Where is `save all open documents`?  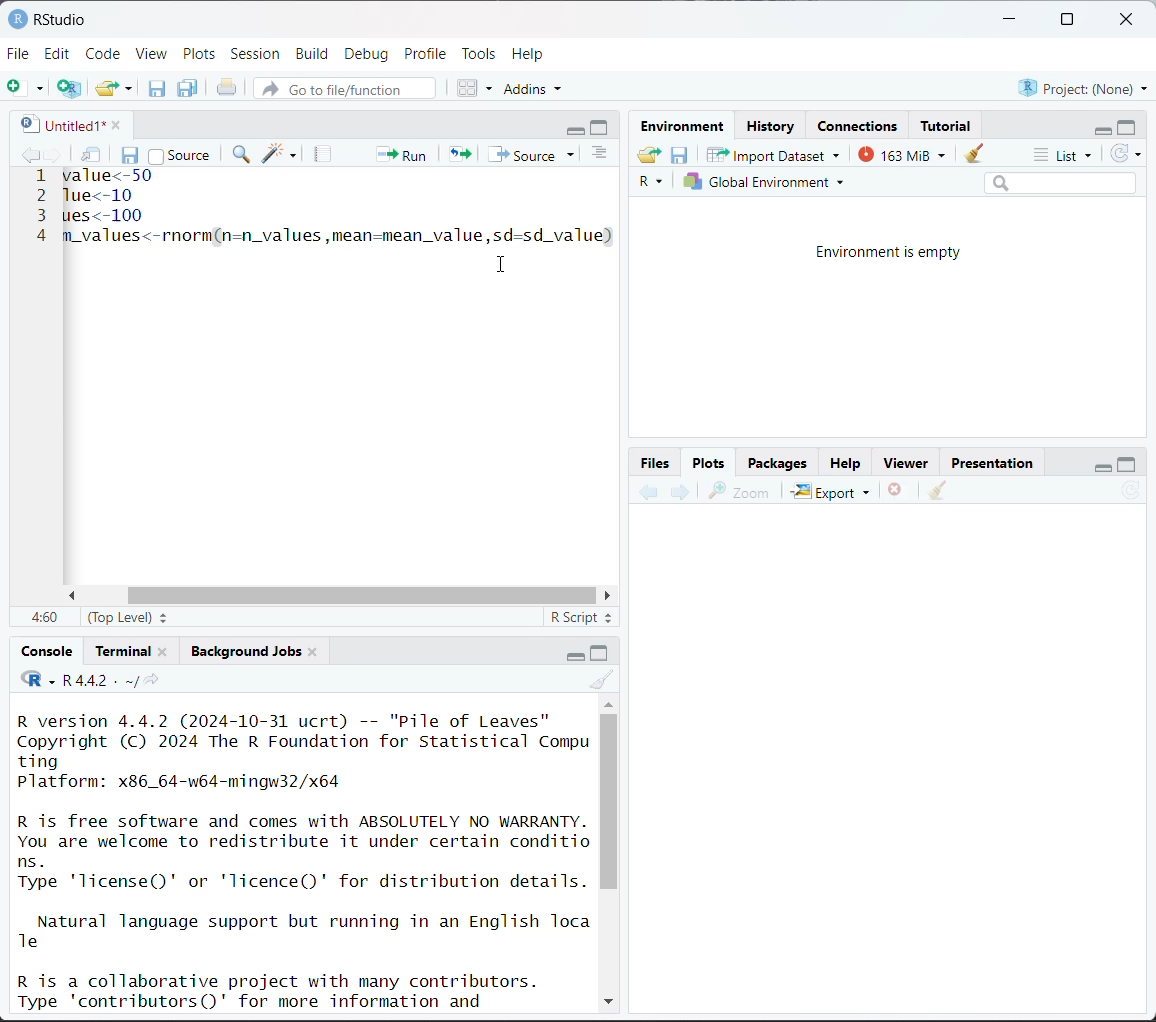
save all open documents is located at coordinates (189, 88).